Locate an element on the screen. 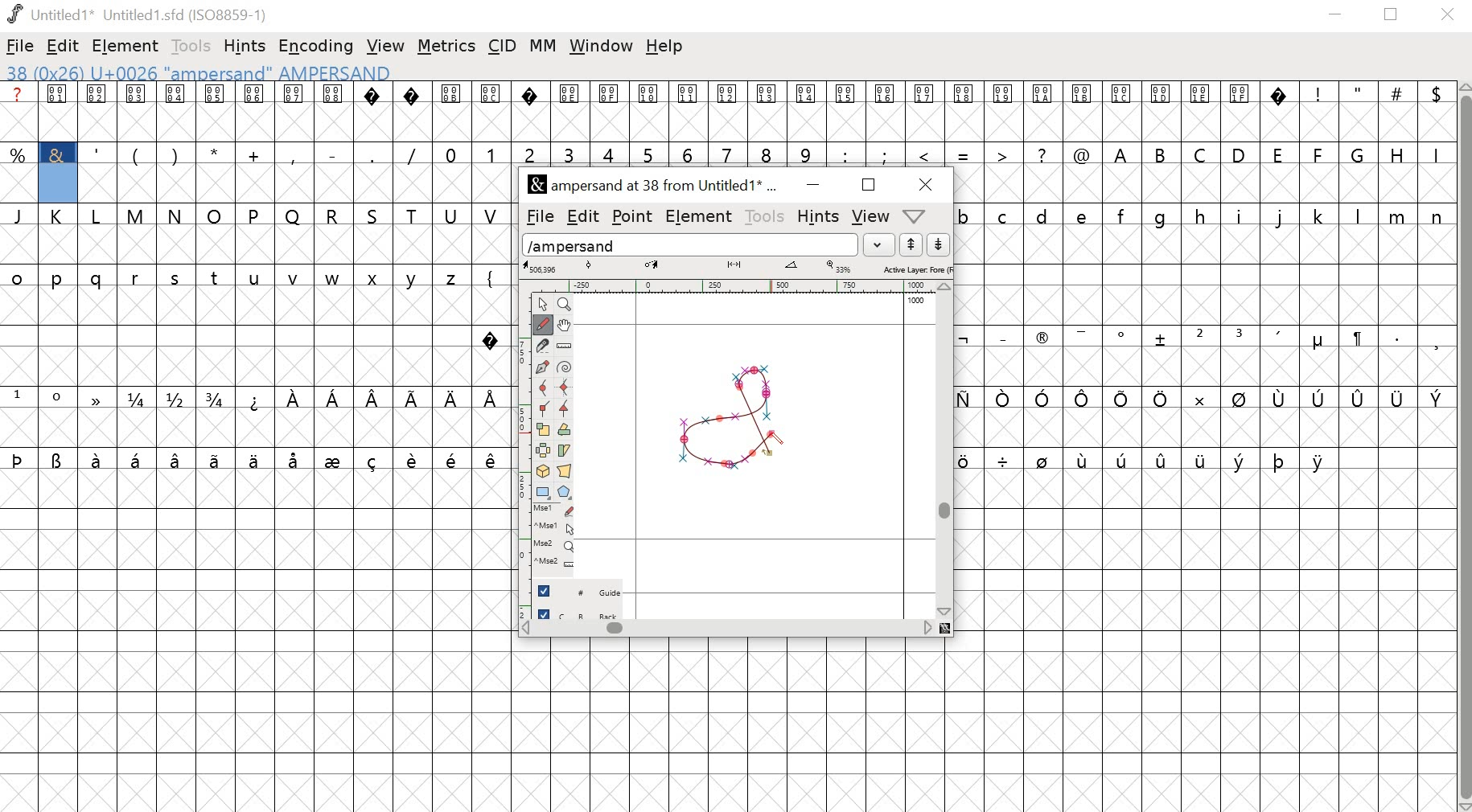  001D is located at coordinates (1162, 112).